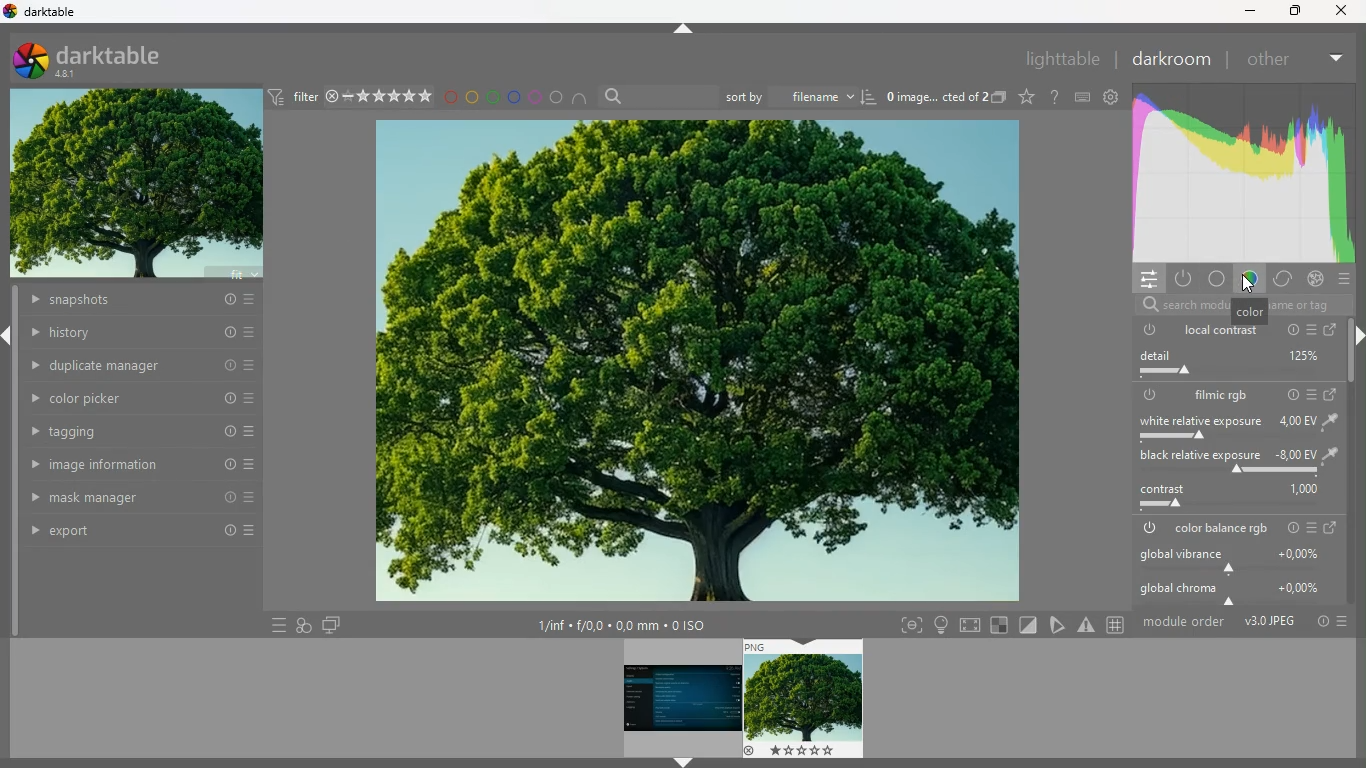 This screenshot has width=1366, height=768. What do you see at coordinates (1328, 528) in the screenshot?
I see `leave` at bounding box center [1328, 528].